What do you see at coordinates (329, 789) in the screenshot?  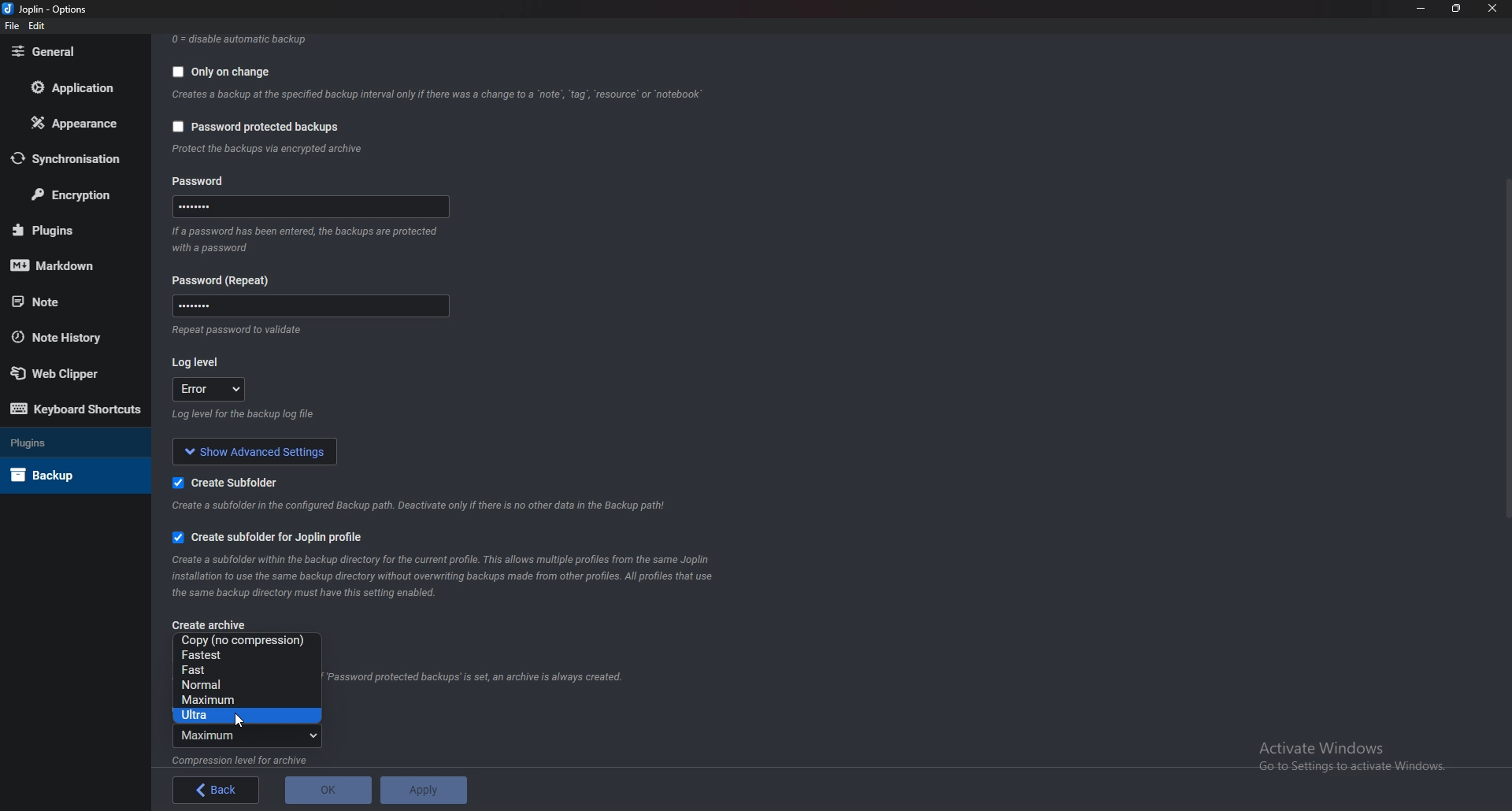 I see `O K` at bounding box center [329, 789].